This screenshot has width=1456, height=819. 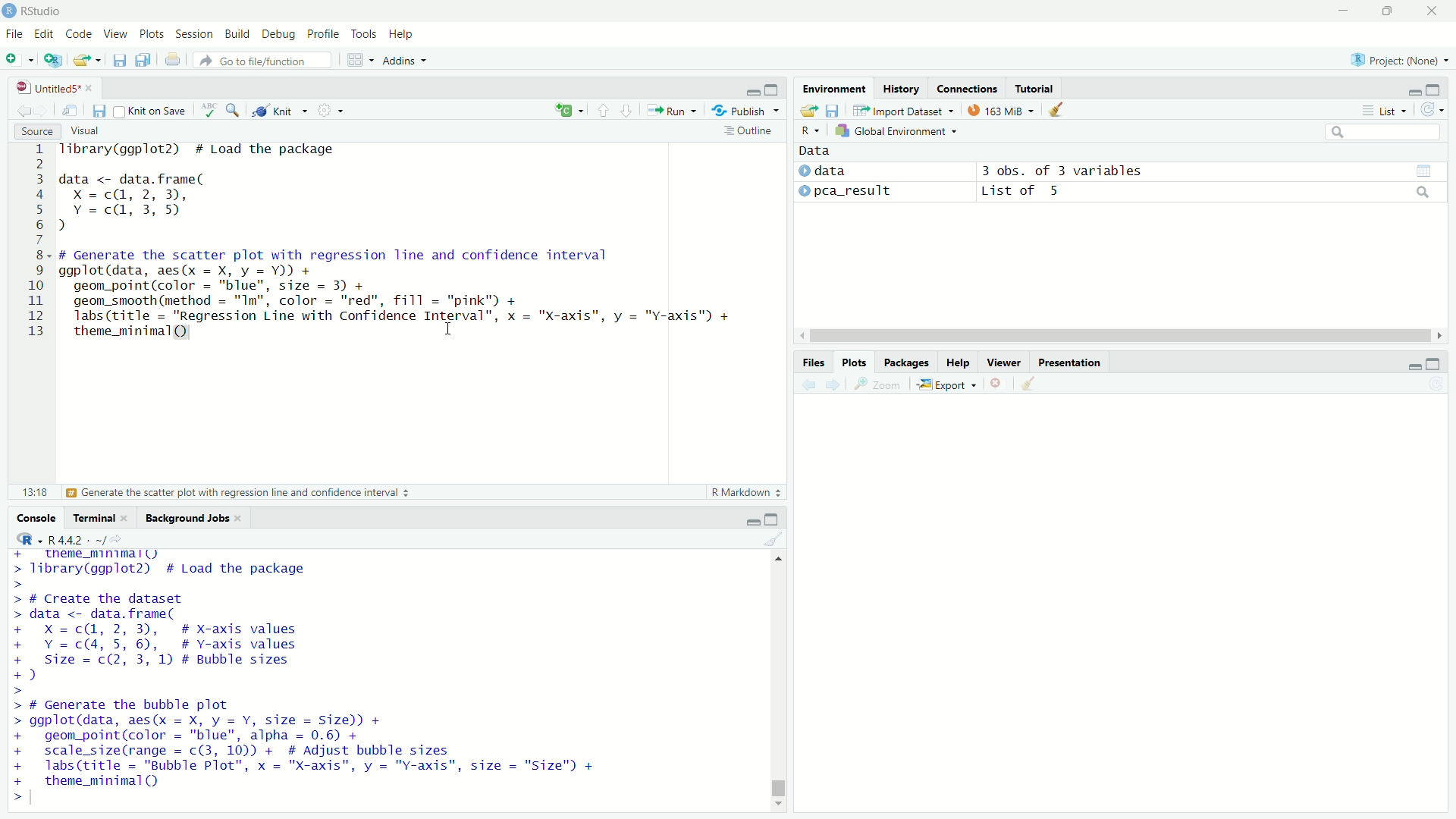 What do you see at coordinates (1000, 109) in the screenshot?
I see `163 MiB` at bounding box center [1000, 109].